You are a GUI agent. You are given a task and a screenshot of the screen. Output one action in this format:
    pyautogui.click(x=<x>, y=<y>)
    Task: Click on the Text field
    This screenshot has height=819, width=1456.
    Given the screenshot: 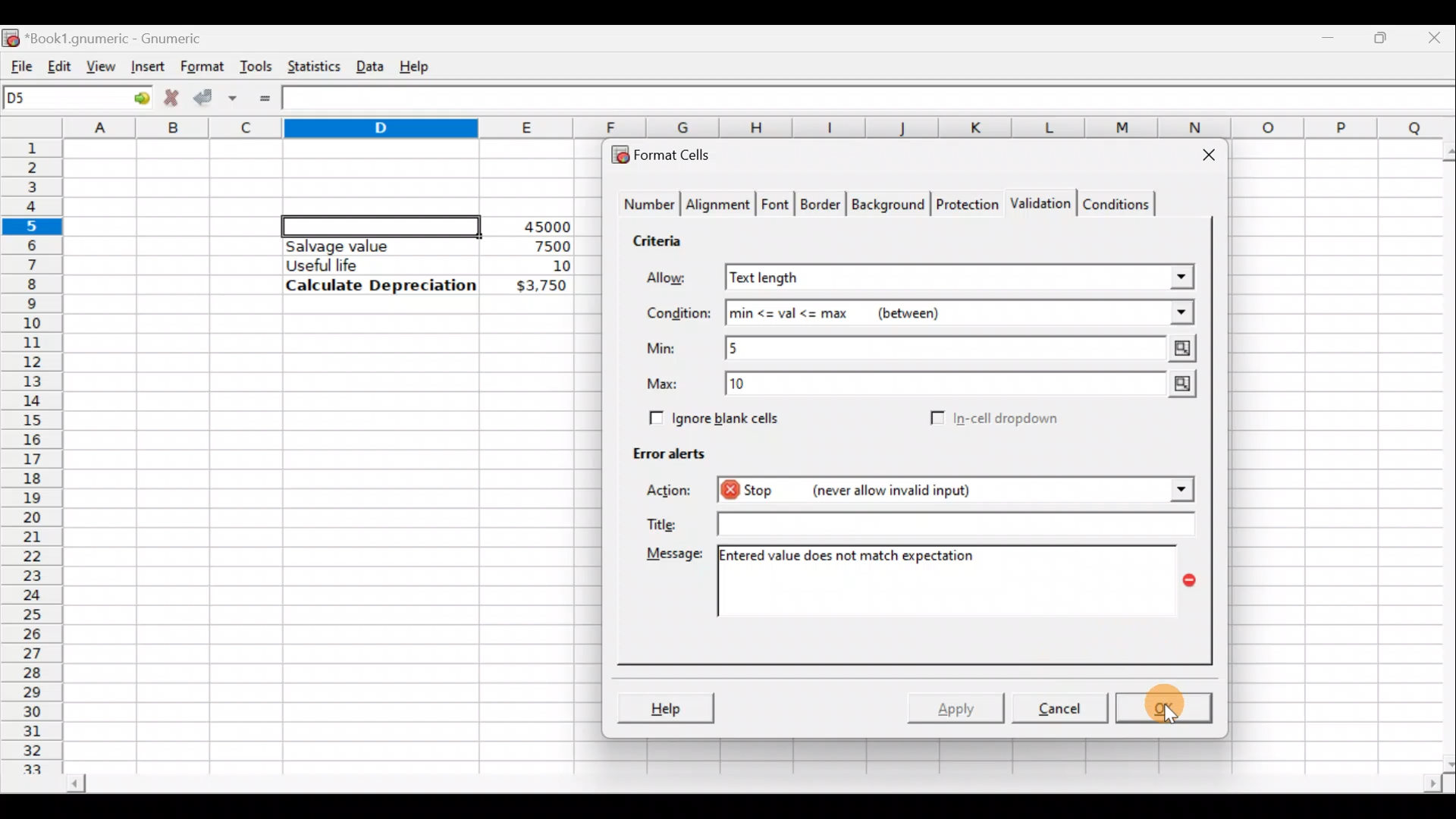 What is the action you would take?
    pyautogui.click(x=950, y=523)
    